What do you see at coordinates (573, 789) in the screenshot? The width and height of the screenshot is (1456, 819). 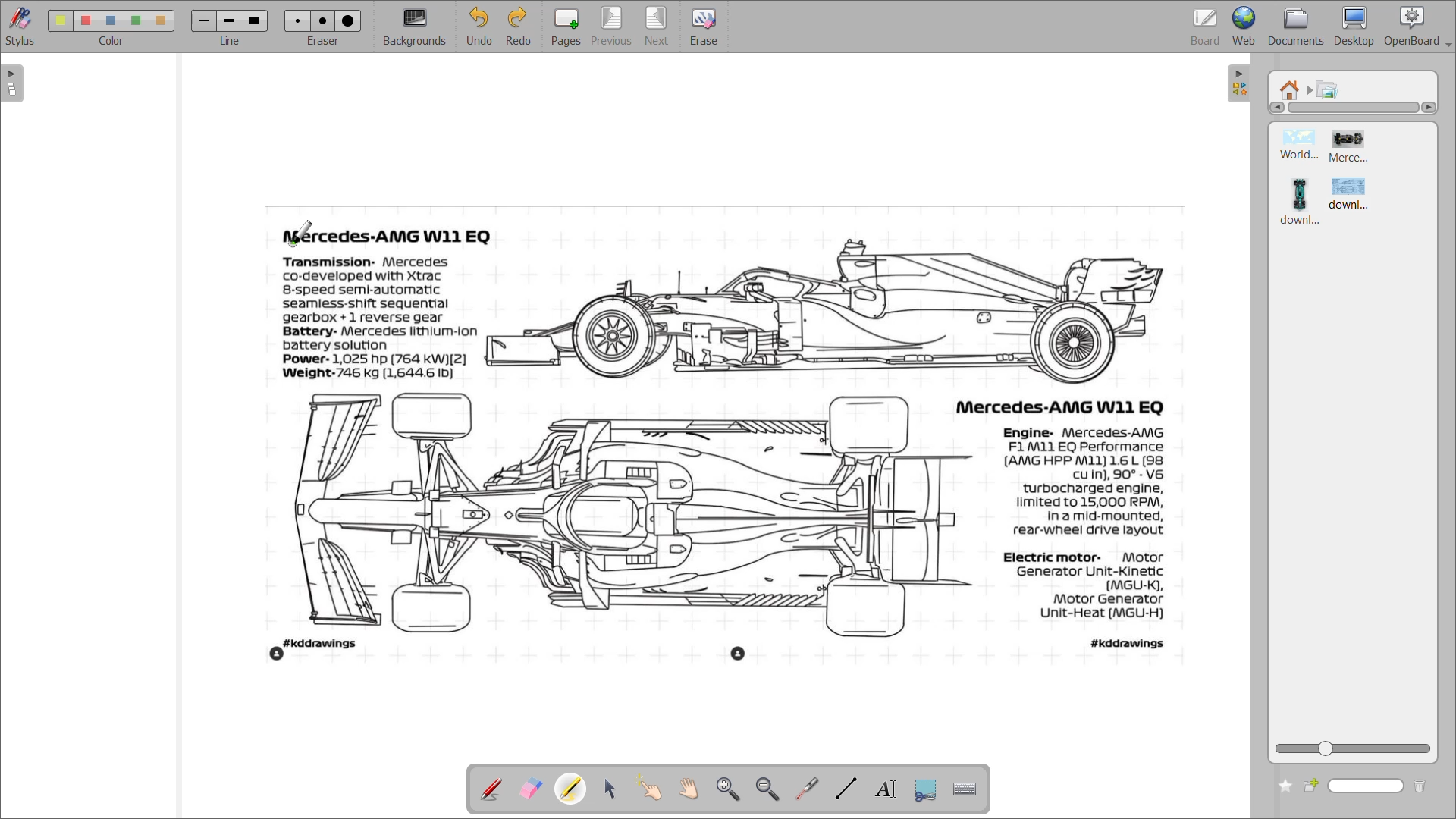 I see `highlight` at bounding box center [573, 789].